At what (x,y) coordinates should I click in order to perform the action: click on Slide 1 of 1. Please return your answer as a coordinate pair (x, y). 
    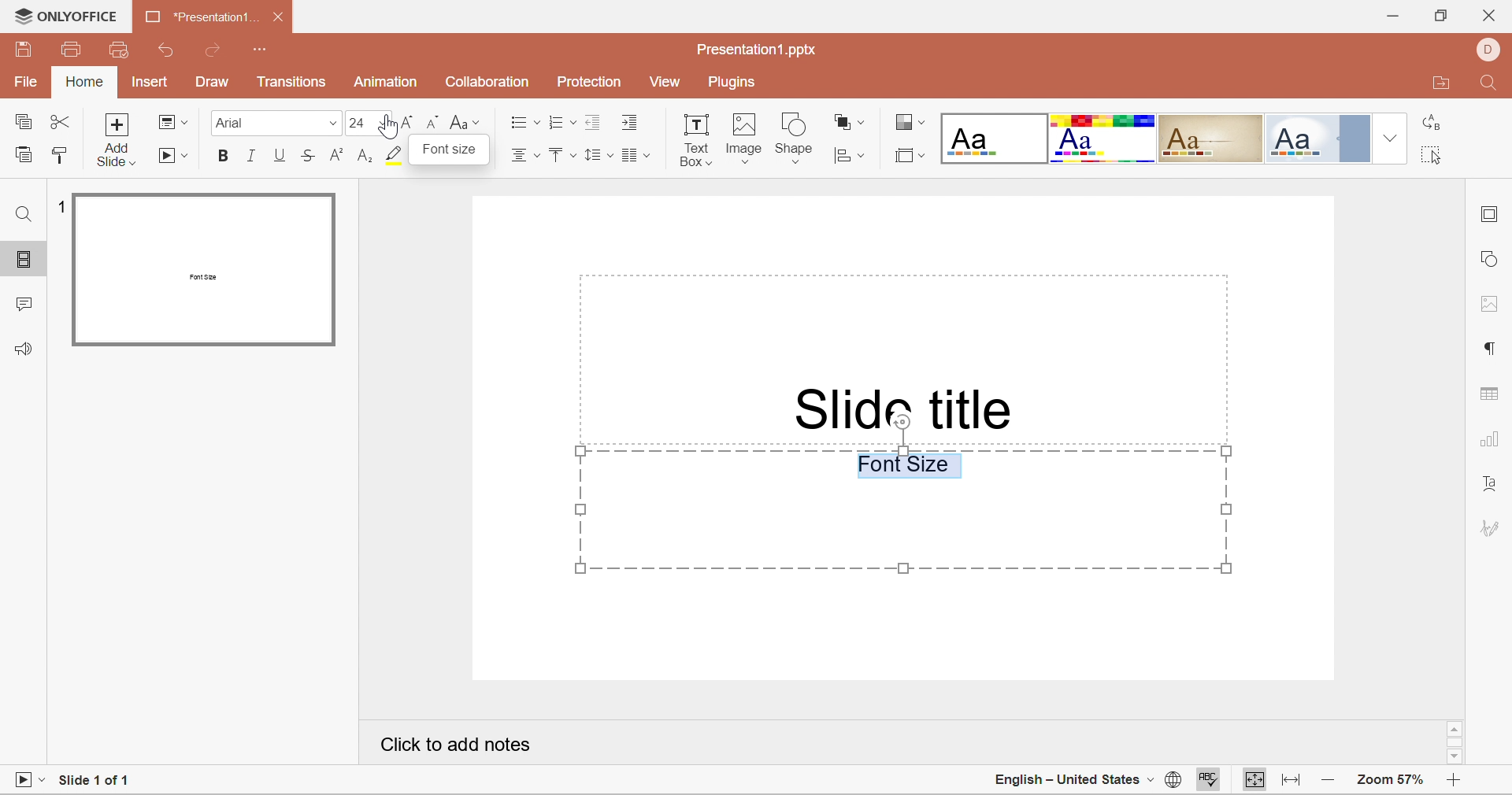
    Looking at the image, I should click on (96, 777).